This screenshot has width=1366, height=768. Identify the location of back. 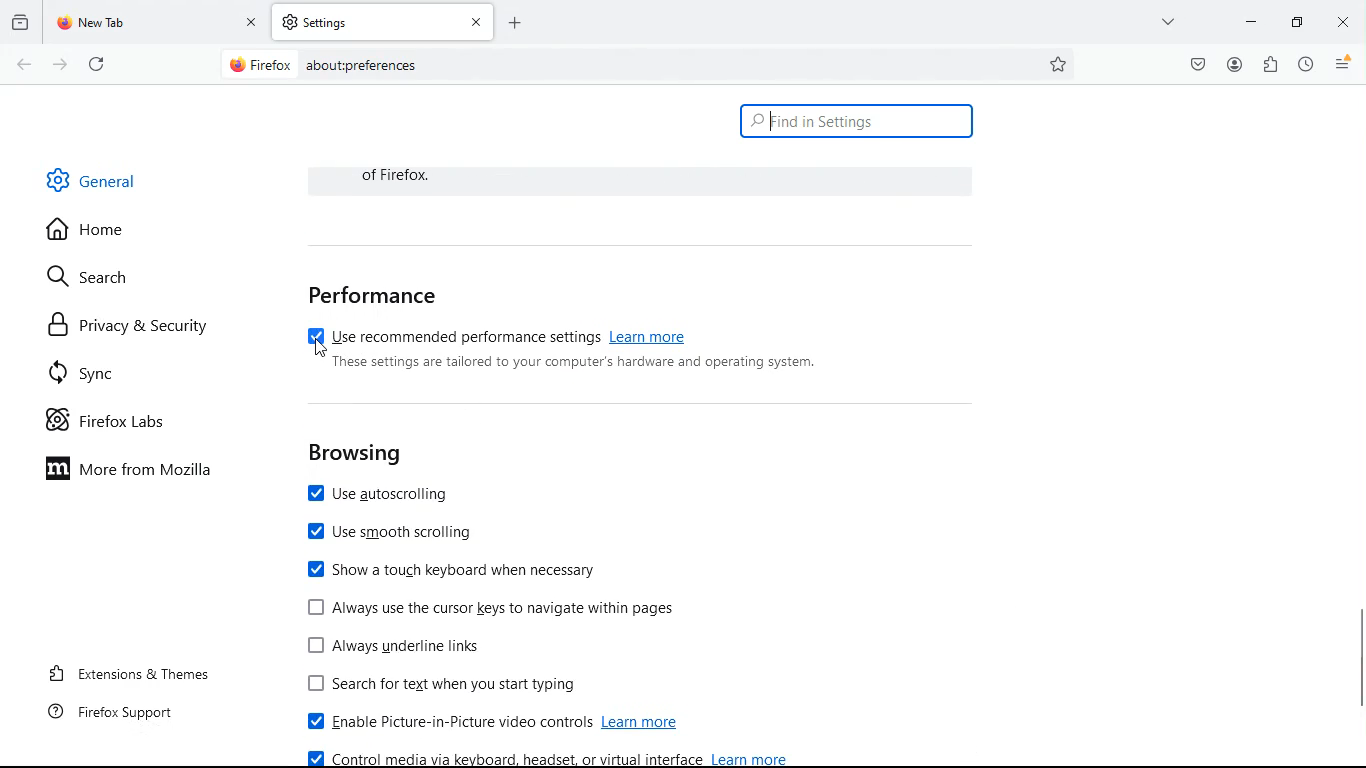
(22, 65).